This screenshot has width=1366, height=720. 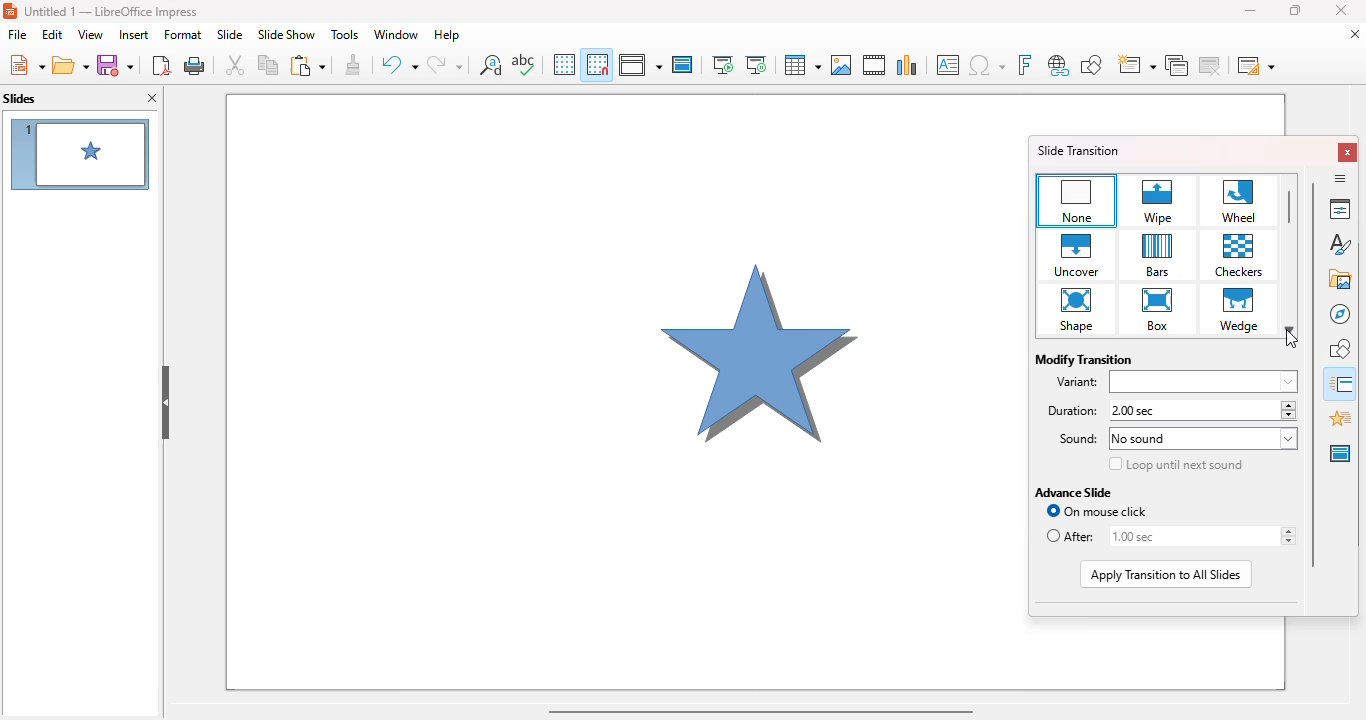 What do you see at coordinates (268, 64) in the screenshot?
I see `copy` at bounding box center [268, 64].